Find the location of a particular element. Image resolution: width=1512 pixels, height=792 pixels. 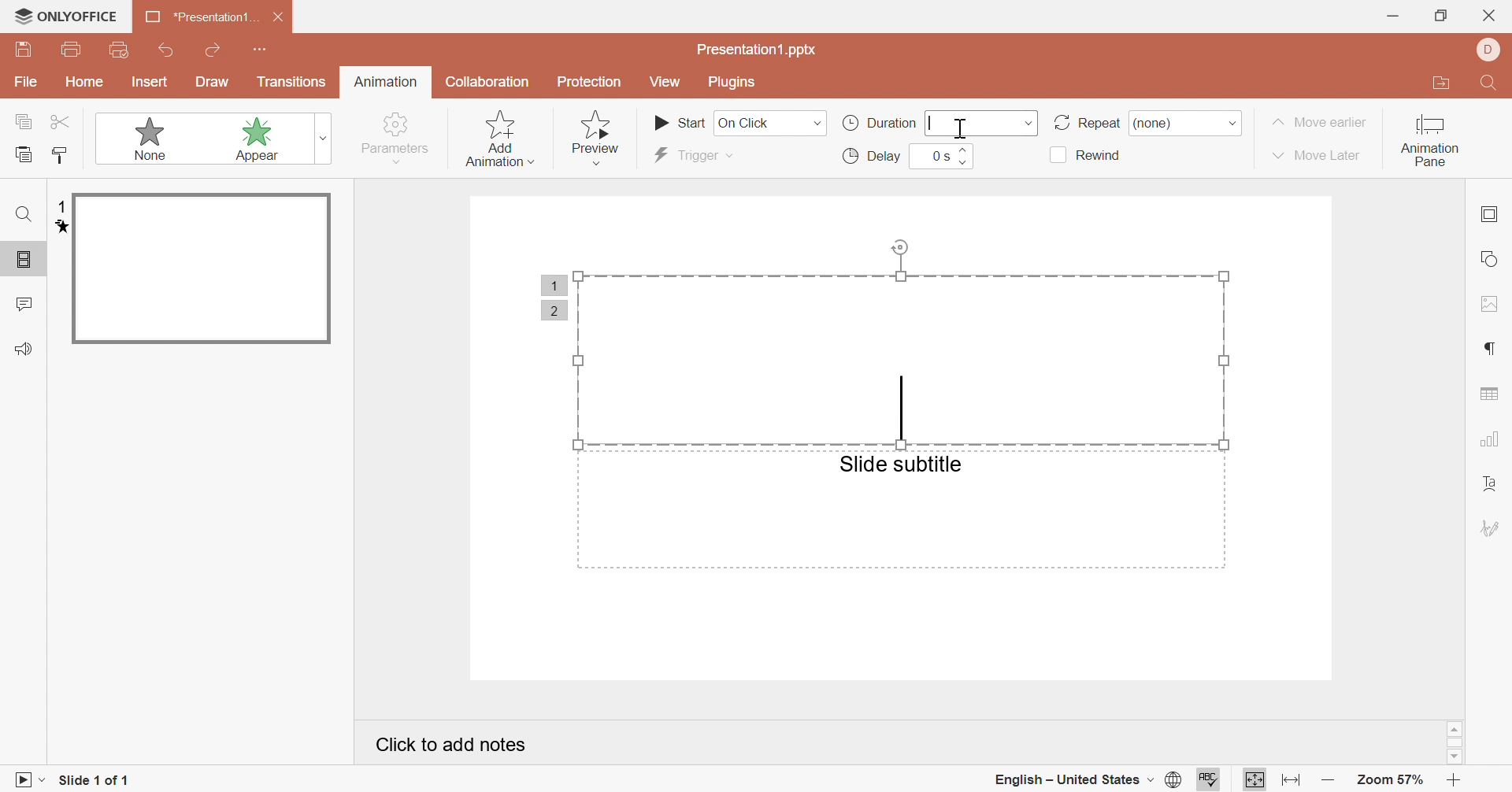

slide 1 of 1 is located at coordinates (95, 781).